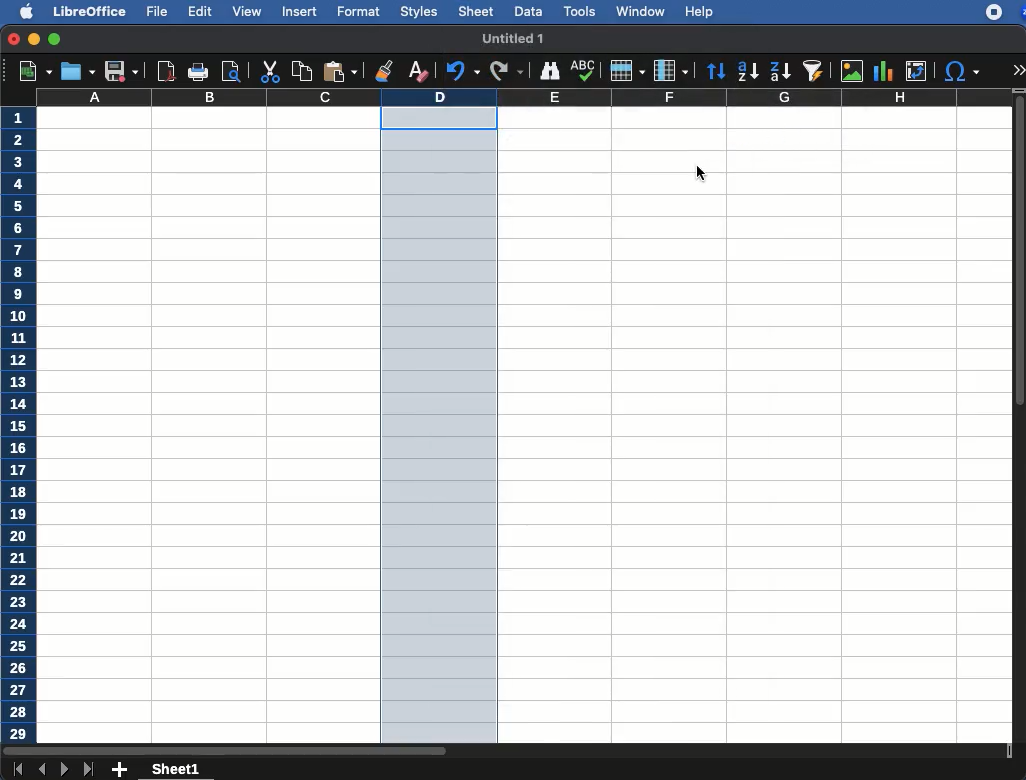 This screenshot has height=780, width=1026. What do you see at coordinates (716, 71) in the screenshot?
I see `sort` at bounding box center [716, 71].